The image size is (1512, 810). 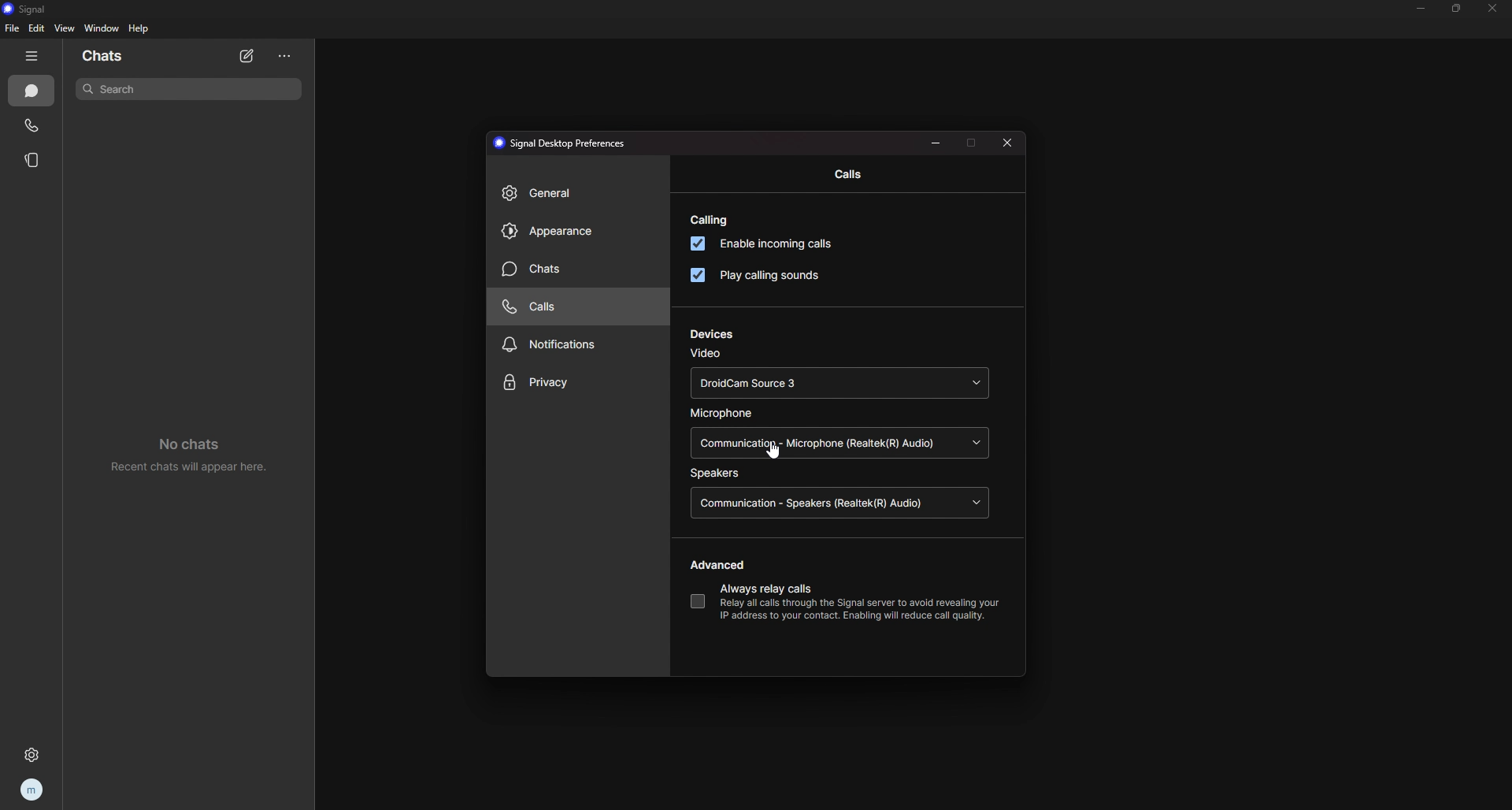 I want to click on description, so click(x=851, y=610).